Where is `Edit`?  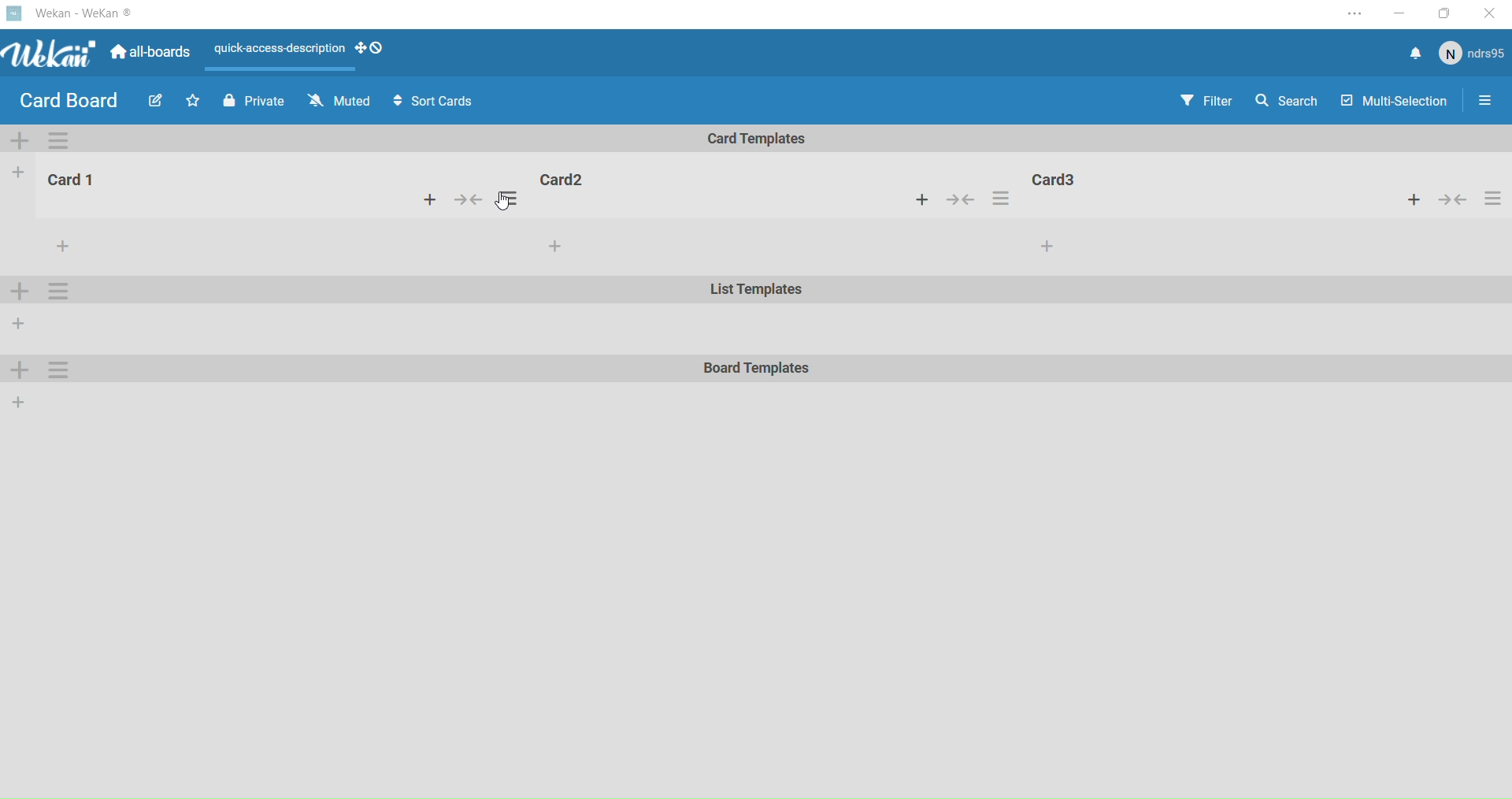 Edit is located at coordinates (154, 99).